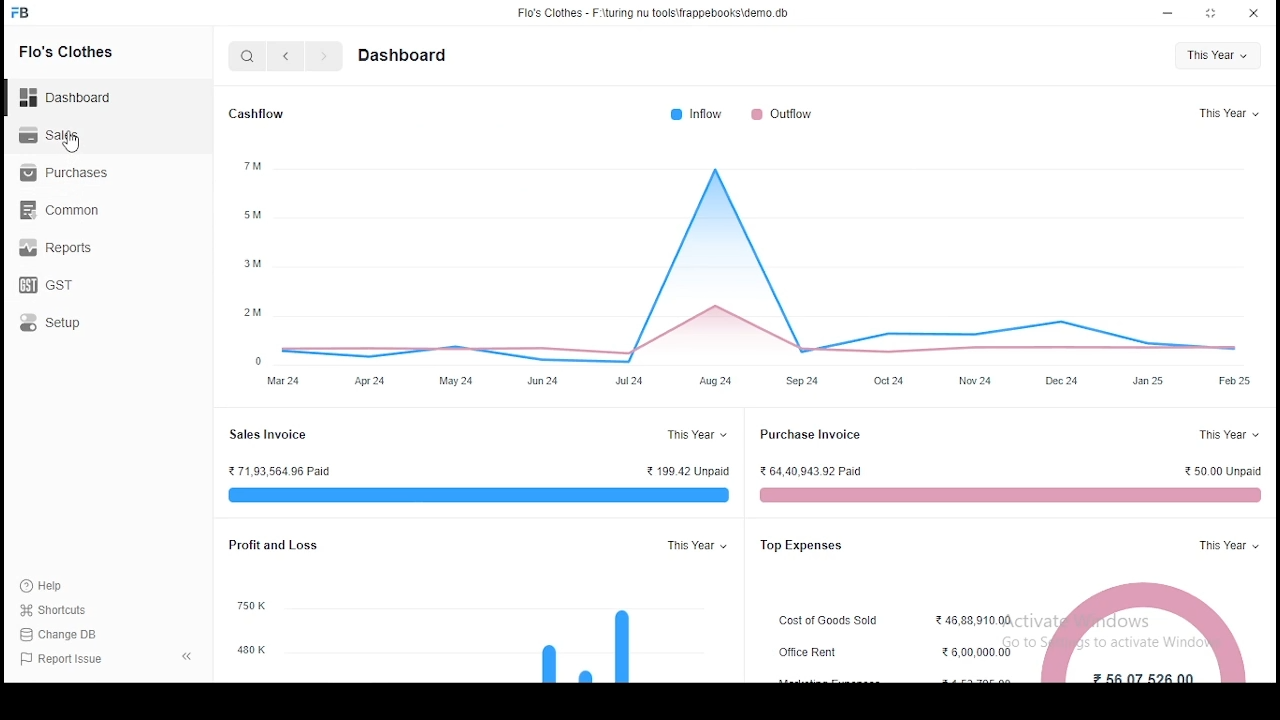  I want to click on close panel, so click(185, 657).